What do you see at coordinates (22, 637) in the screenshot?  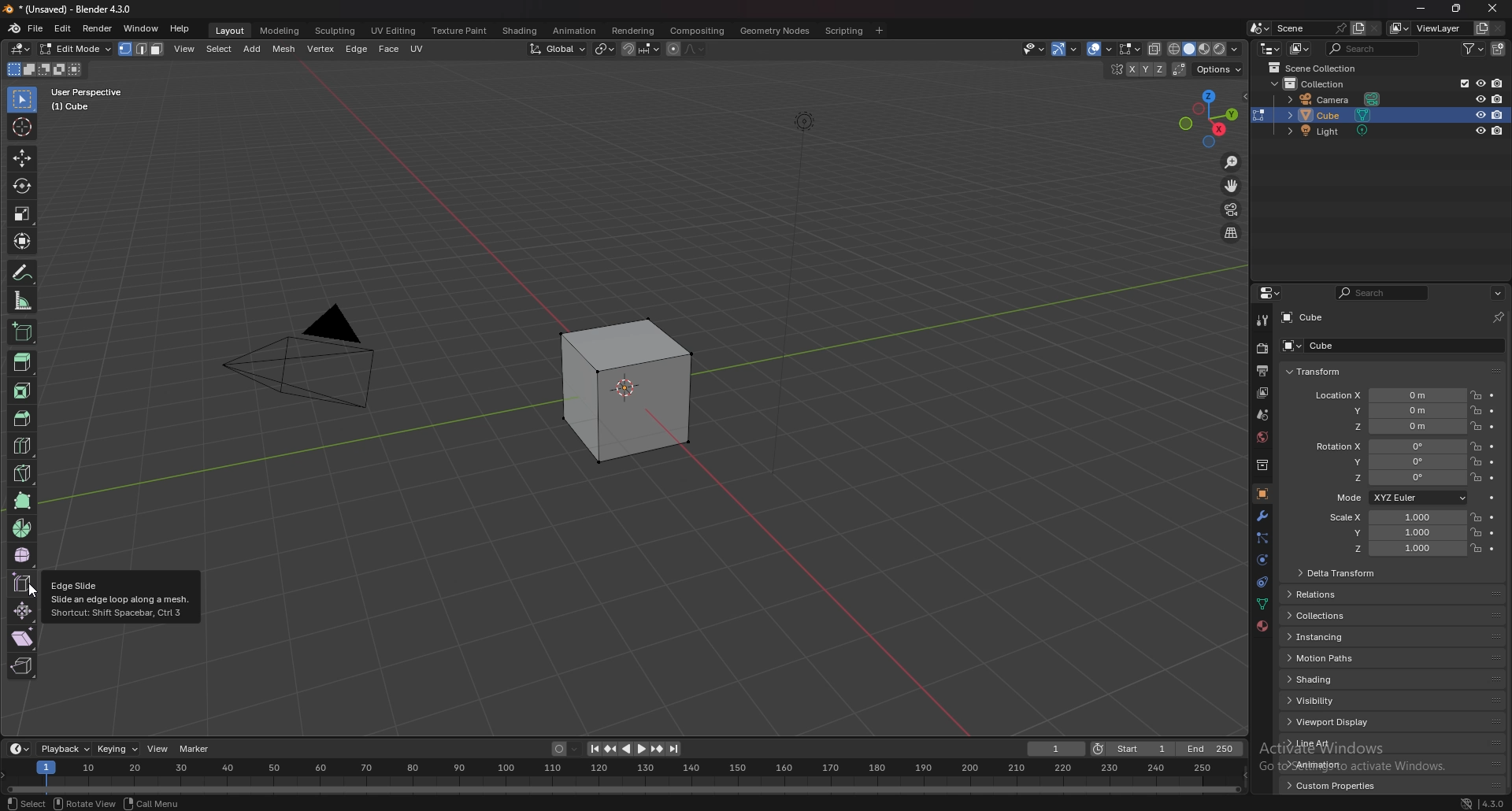 I see `shear` at bounding box center [22, 637].